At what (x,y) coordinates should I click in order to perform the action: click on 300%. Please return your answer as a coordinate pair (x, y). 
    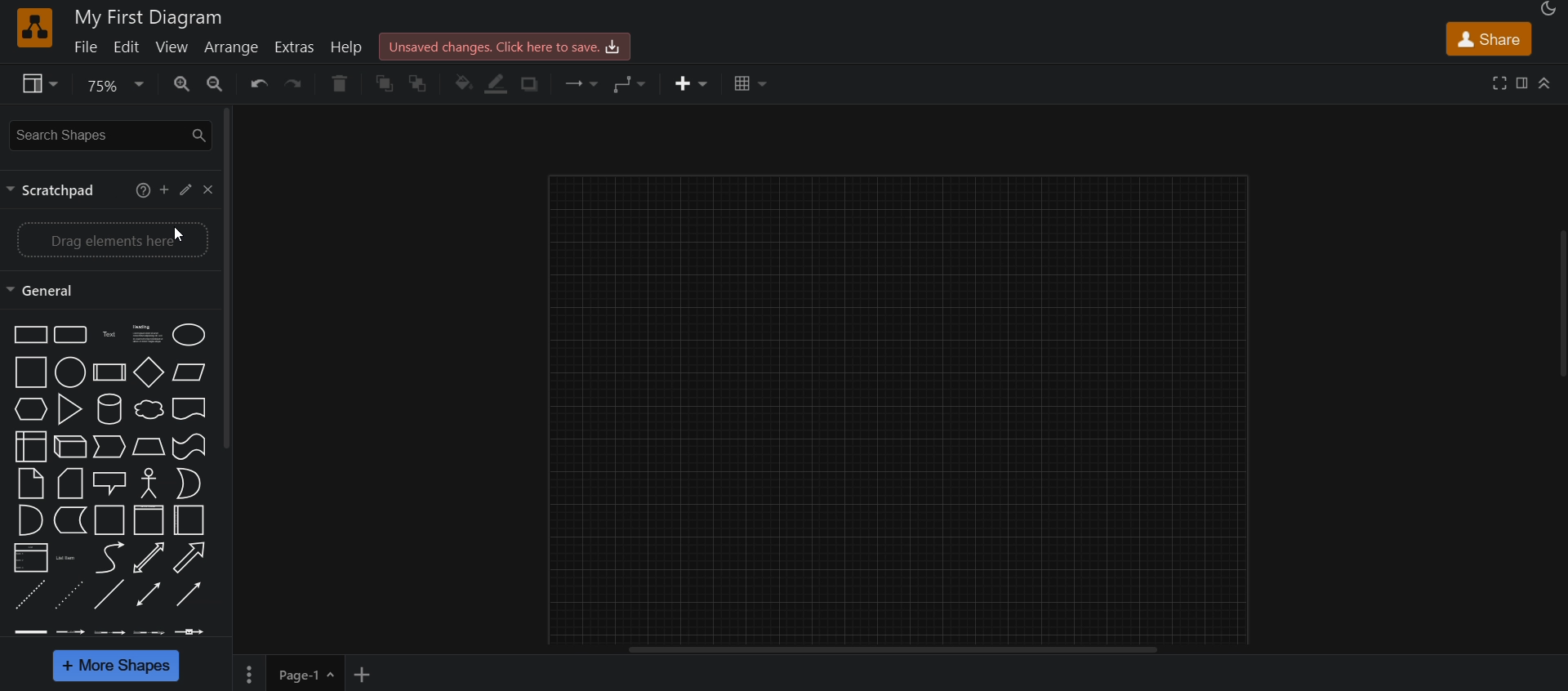
    Looking at the image, I should click on (153, 409).